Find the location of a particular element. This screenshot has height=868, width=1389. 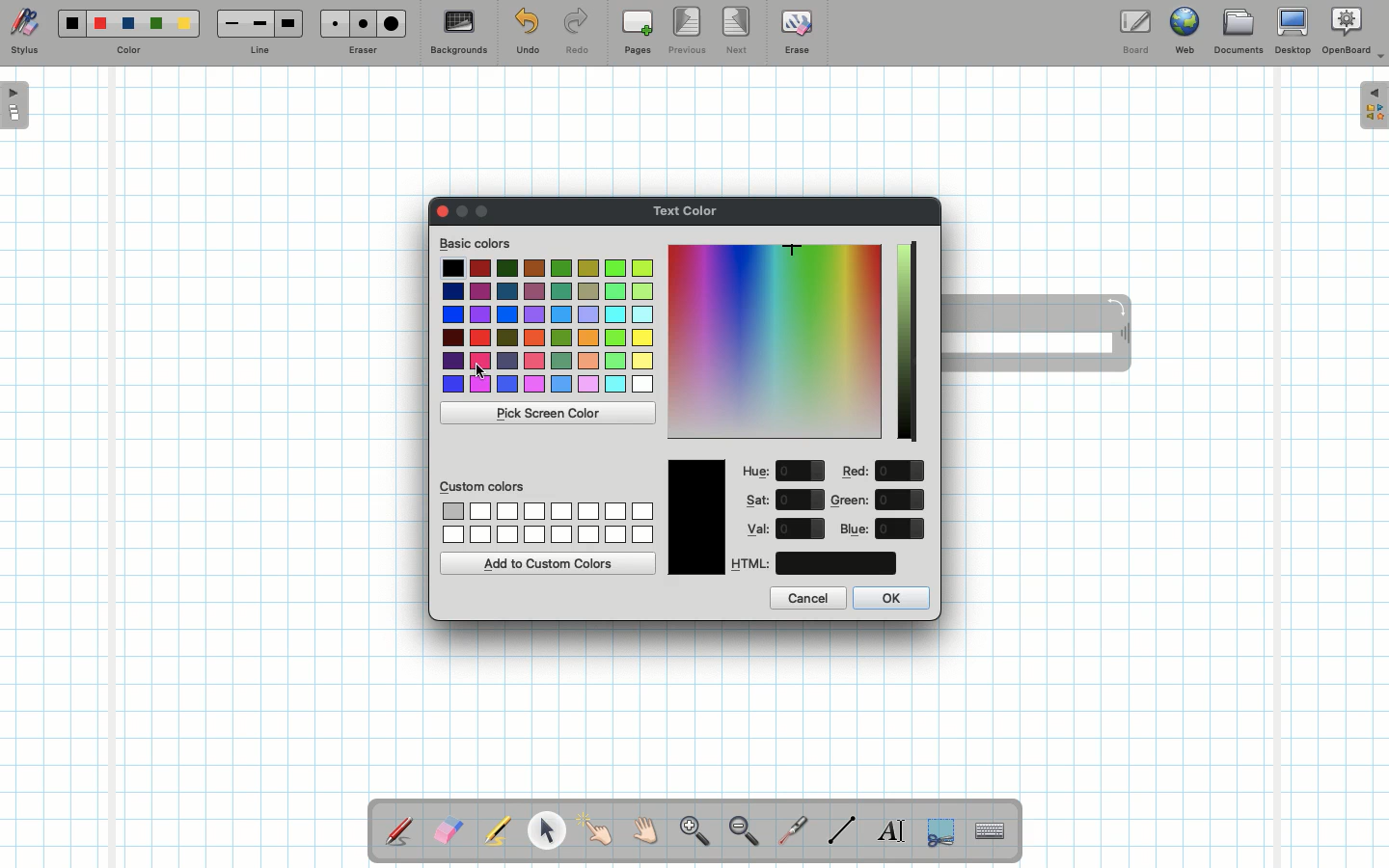

Cancel is located at coordinates (807, 598).